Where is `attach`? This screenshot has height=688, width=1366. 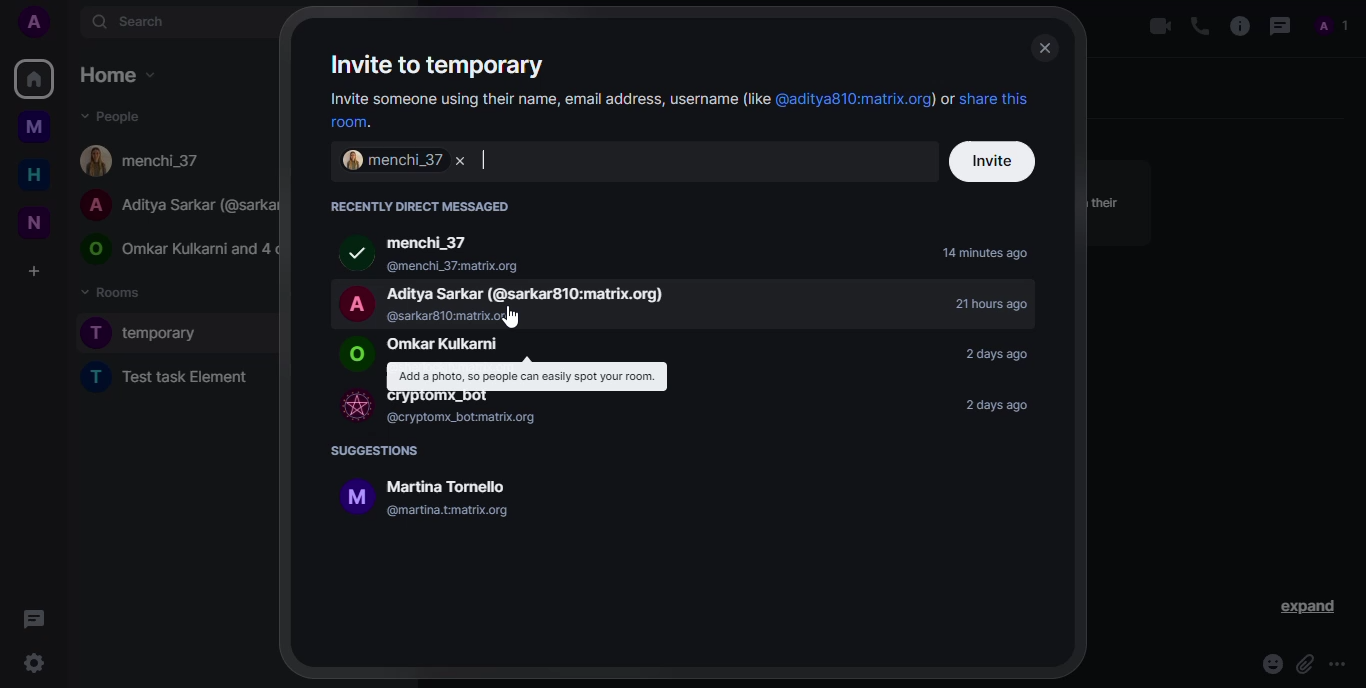
attach is located at coordinates (1301, 664).